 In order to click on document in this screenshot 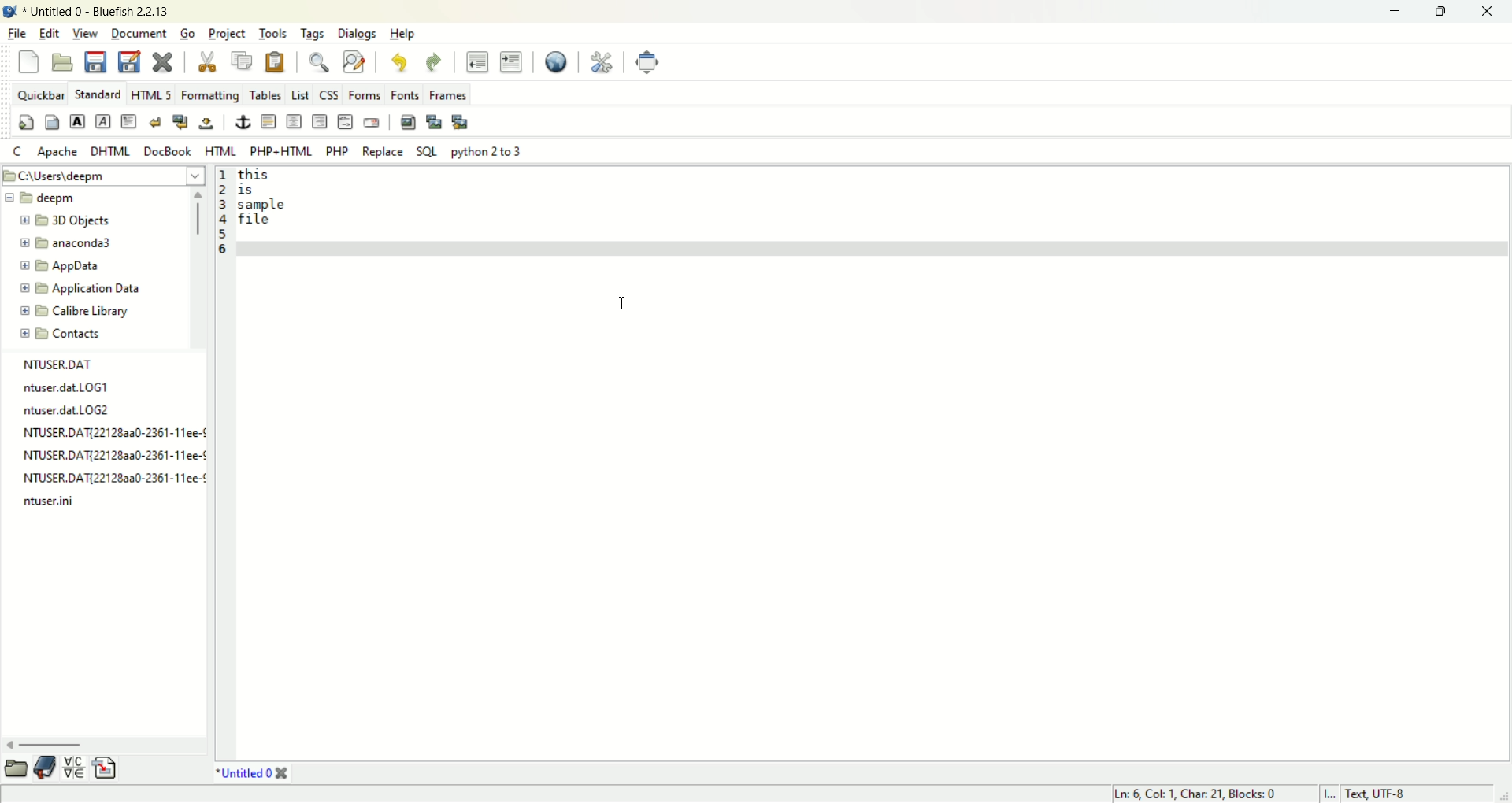, I will do `click(140, 33)`.